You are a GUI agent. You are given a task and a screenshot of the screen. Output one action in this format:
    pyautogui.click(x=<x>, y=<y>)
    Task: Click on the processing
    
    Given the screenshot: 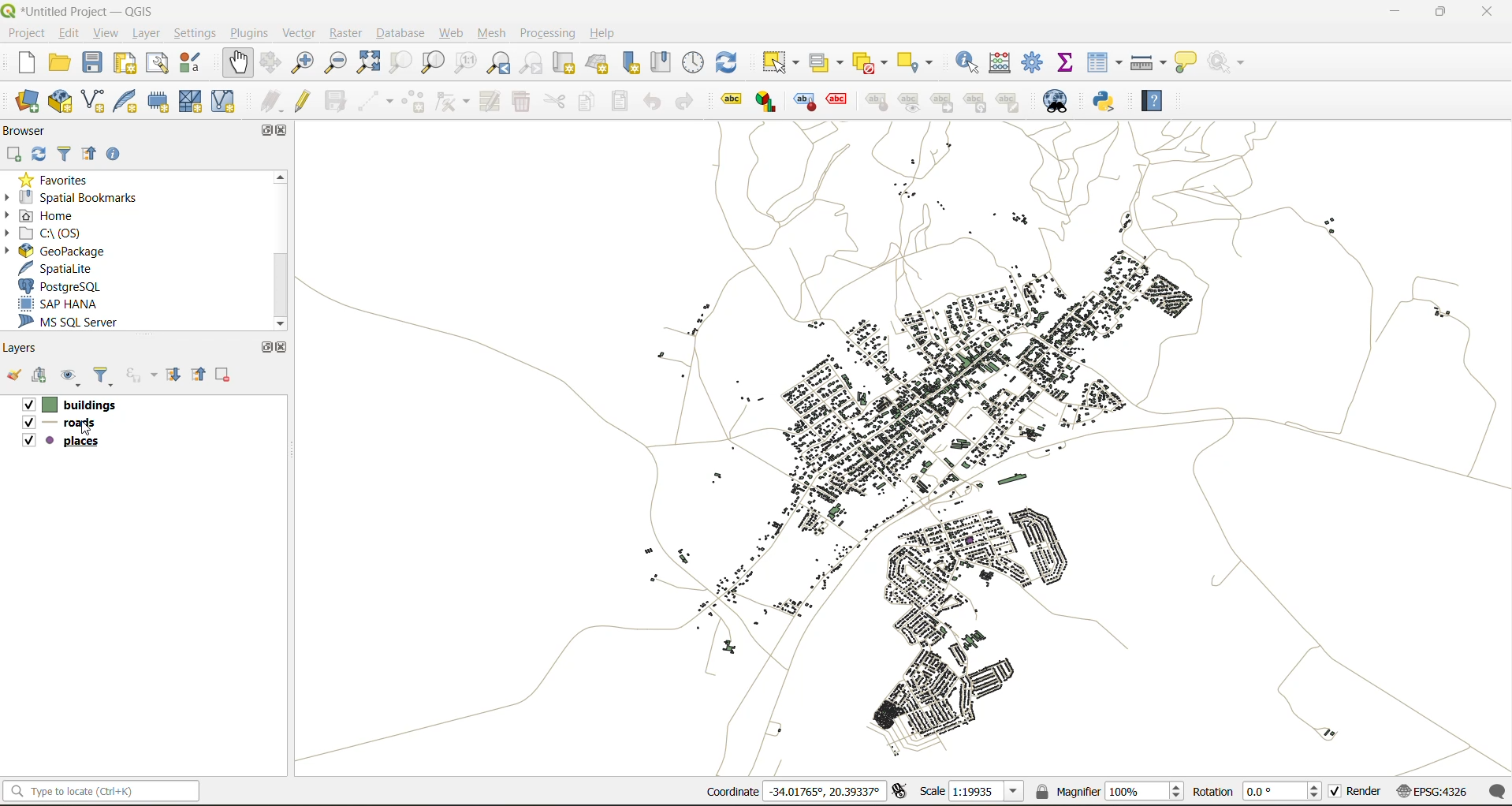 What is the action you would take?
    pyautogui.click(x=546, y=33)
    